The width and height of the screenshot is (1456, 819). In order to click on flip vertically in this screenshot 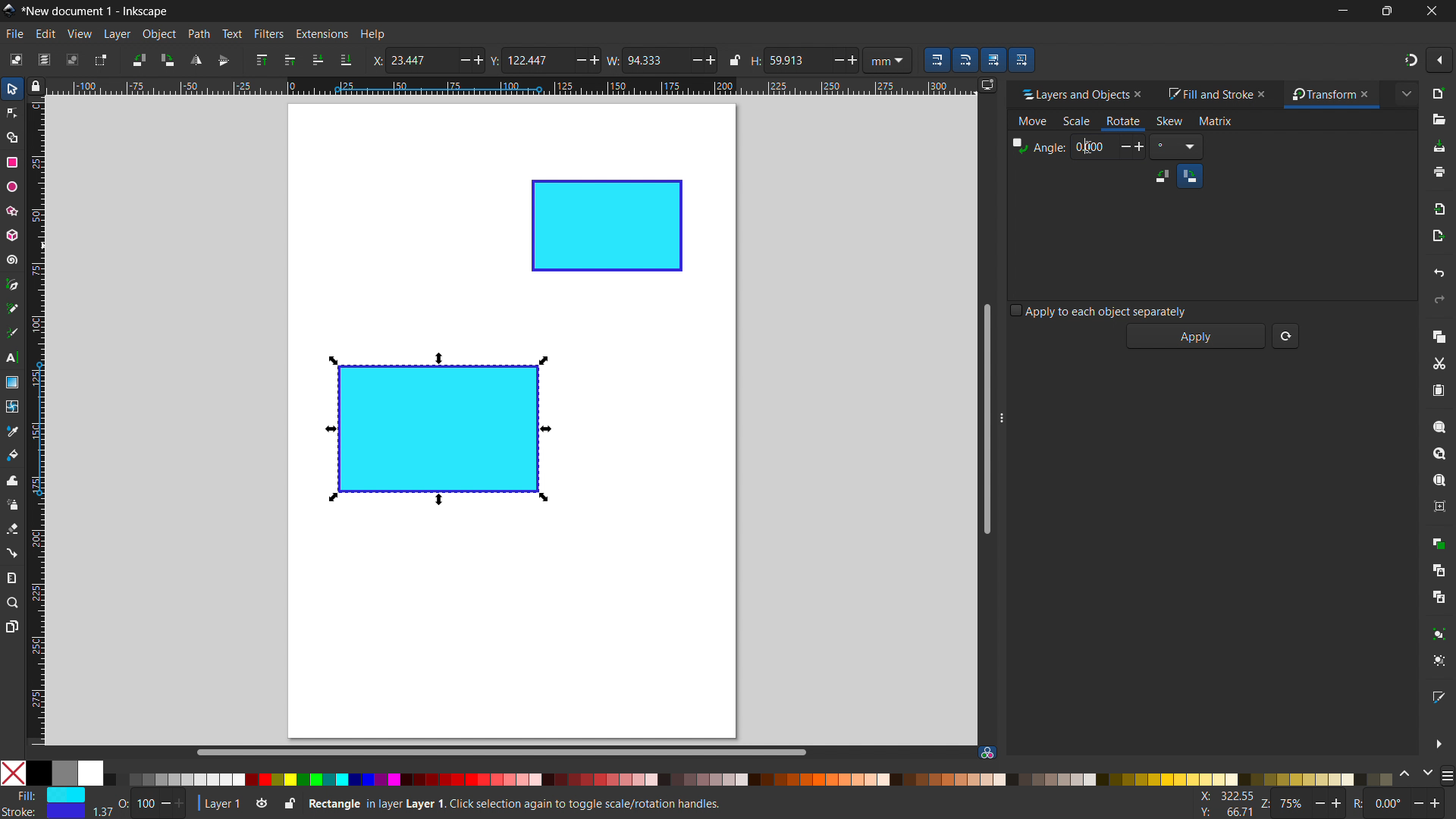, I will do `click(224, 61)`.